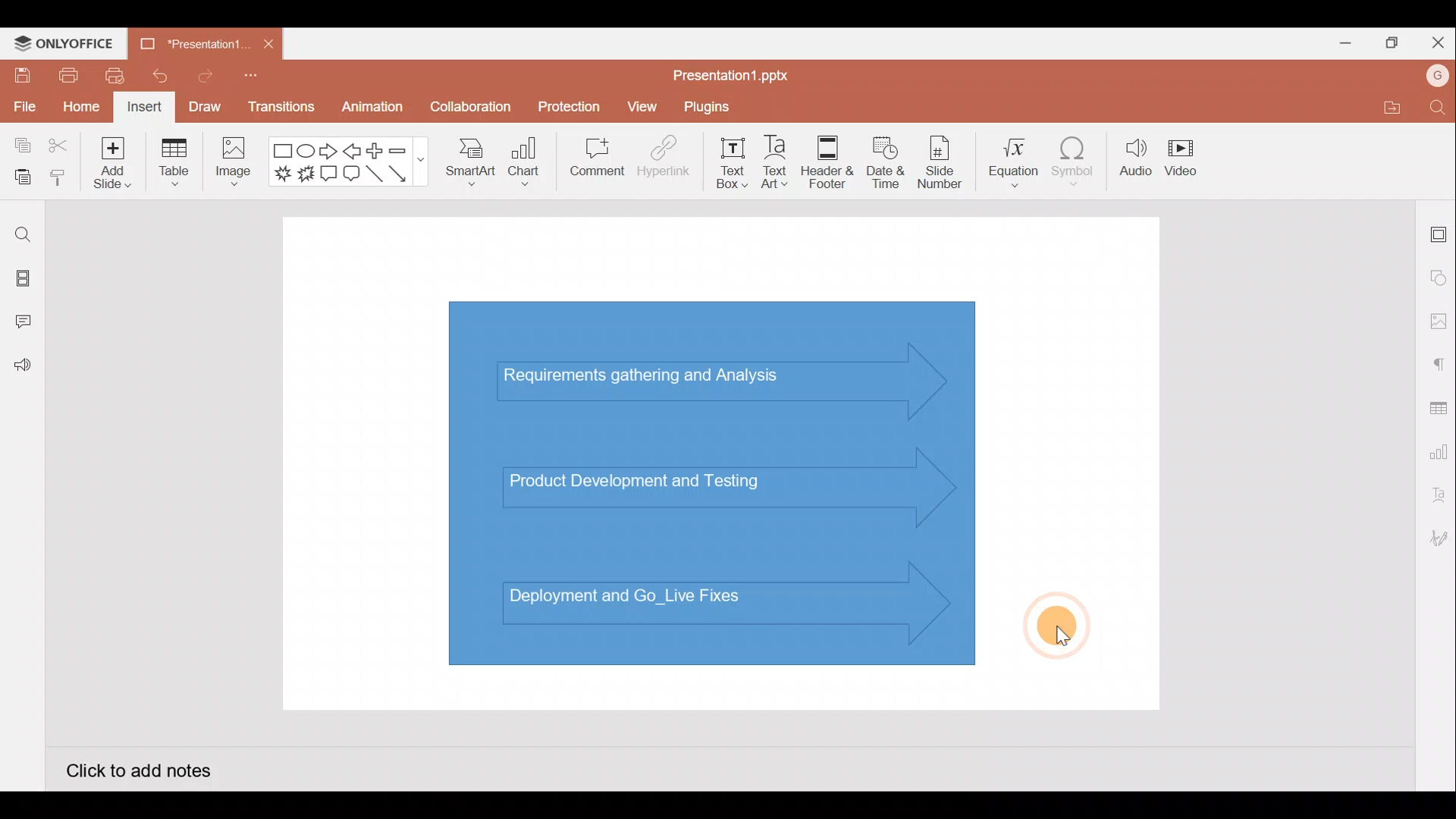 The height and width of the screenshot is (819, 1456). Describe the element at coordinates (469, 113) in the screenshot. I see `Collaboration` at that location.